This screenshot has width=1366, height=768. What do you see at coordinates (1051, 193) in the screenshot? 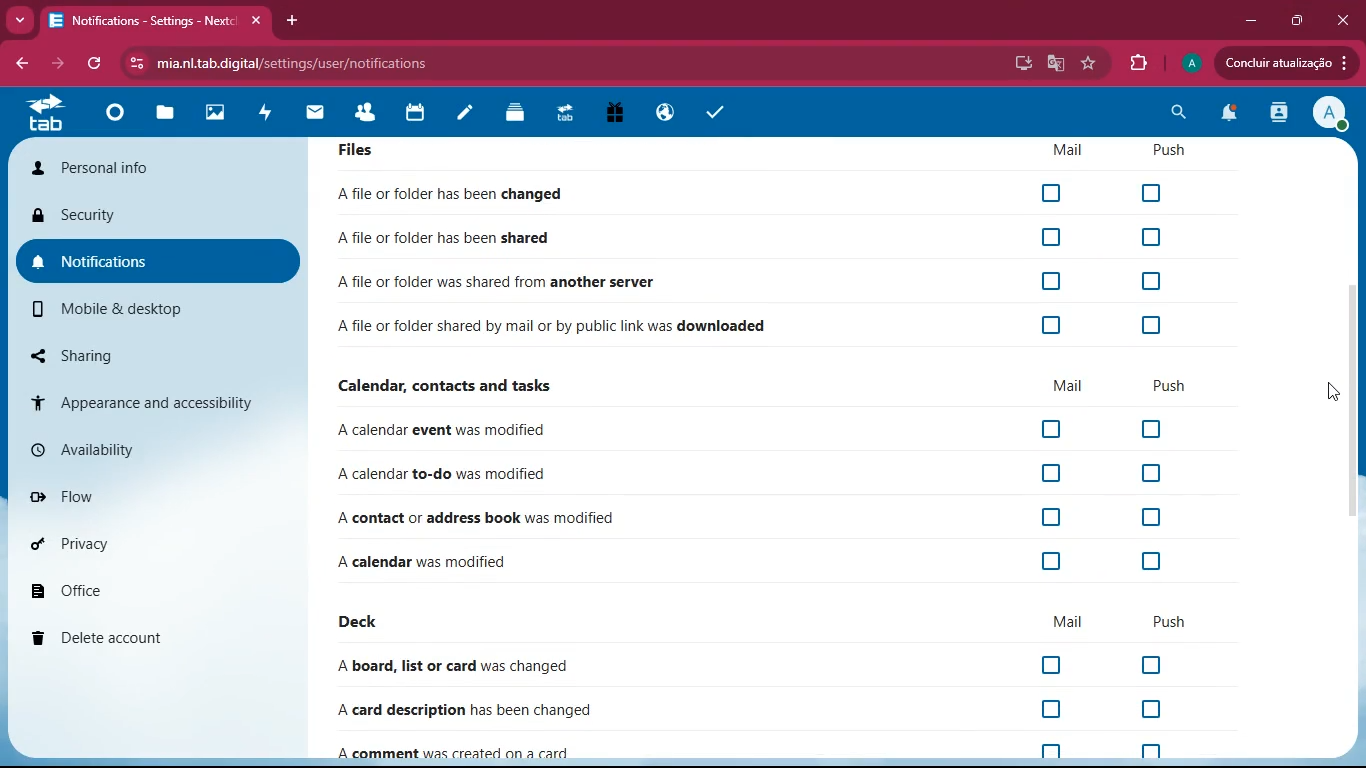
I see `Checkbox` at bounding box center [1051, 193].